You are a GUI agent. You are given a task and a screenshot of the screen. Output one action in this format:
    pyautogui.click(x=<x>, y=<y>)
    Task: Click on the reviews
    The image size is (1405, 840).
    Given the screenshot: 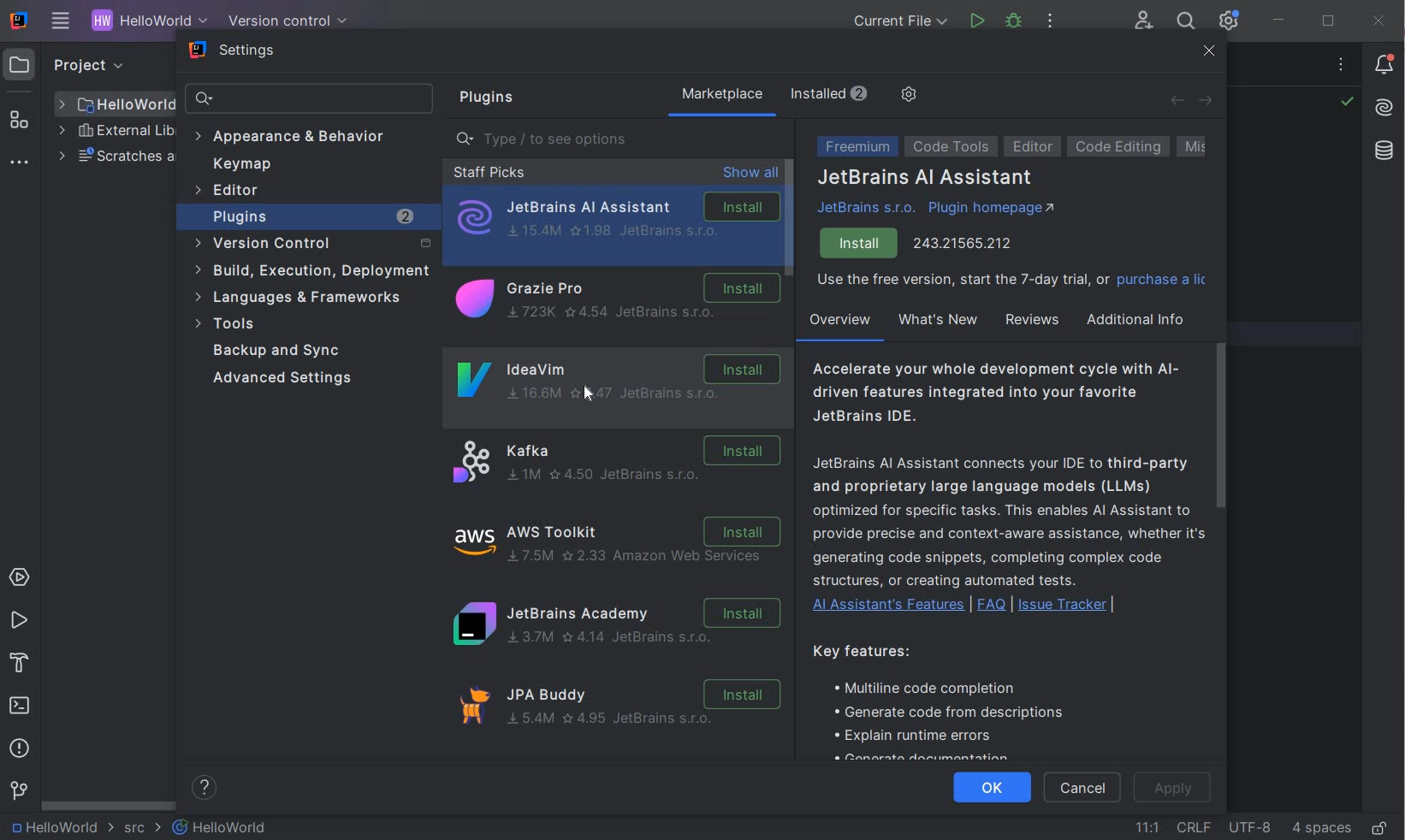 What is the action you would take?
    pyautogui.click(x=1030, y=320)
    